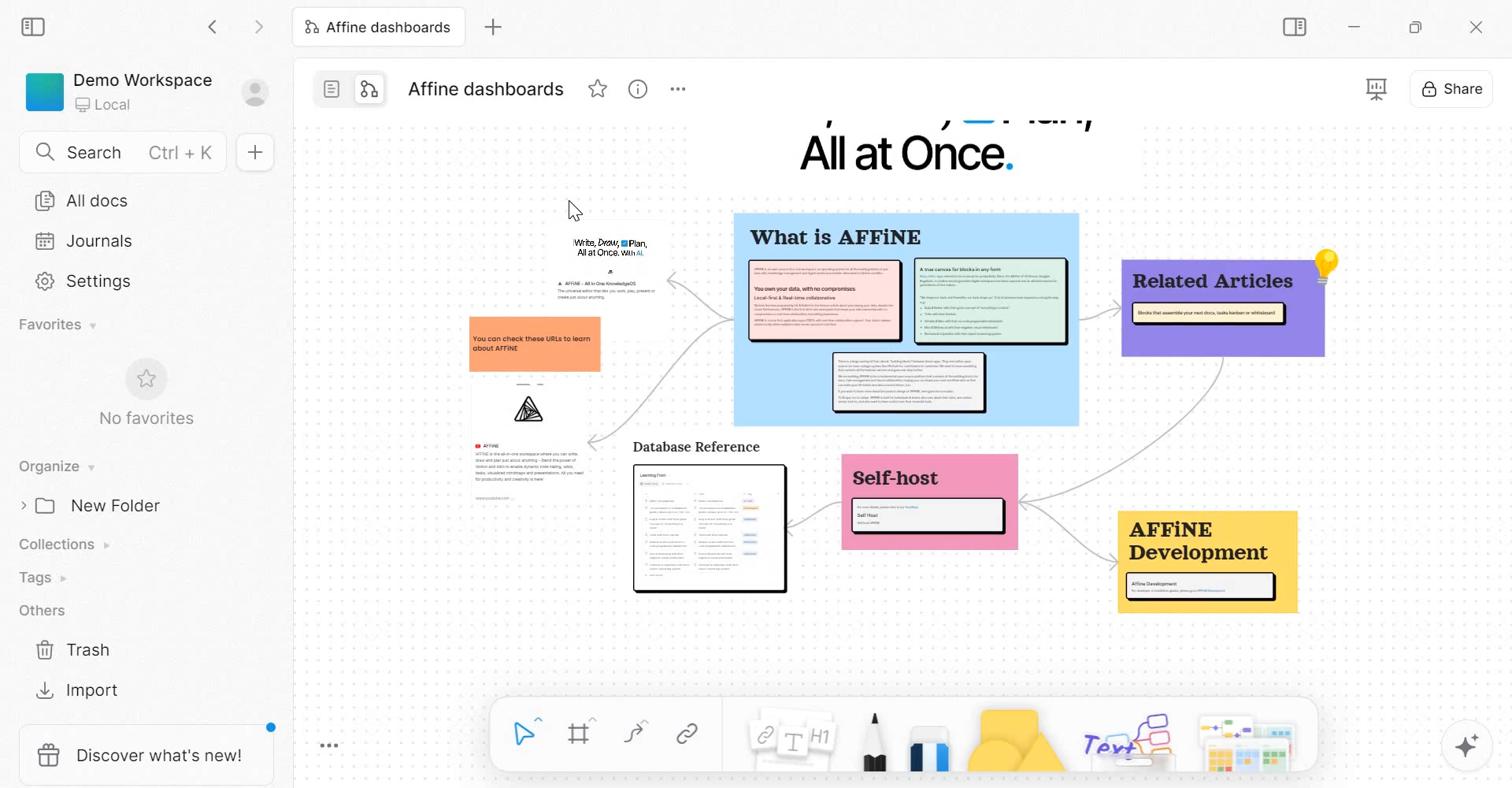  I want to click on New doc, so click(254, 154).